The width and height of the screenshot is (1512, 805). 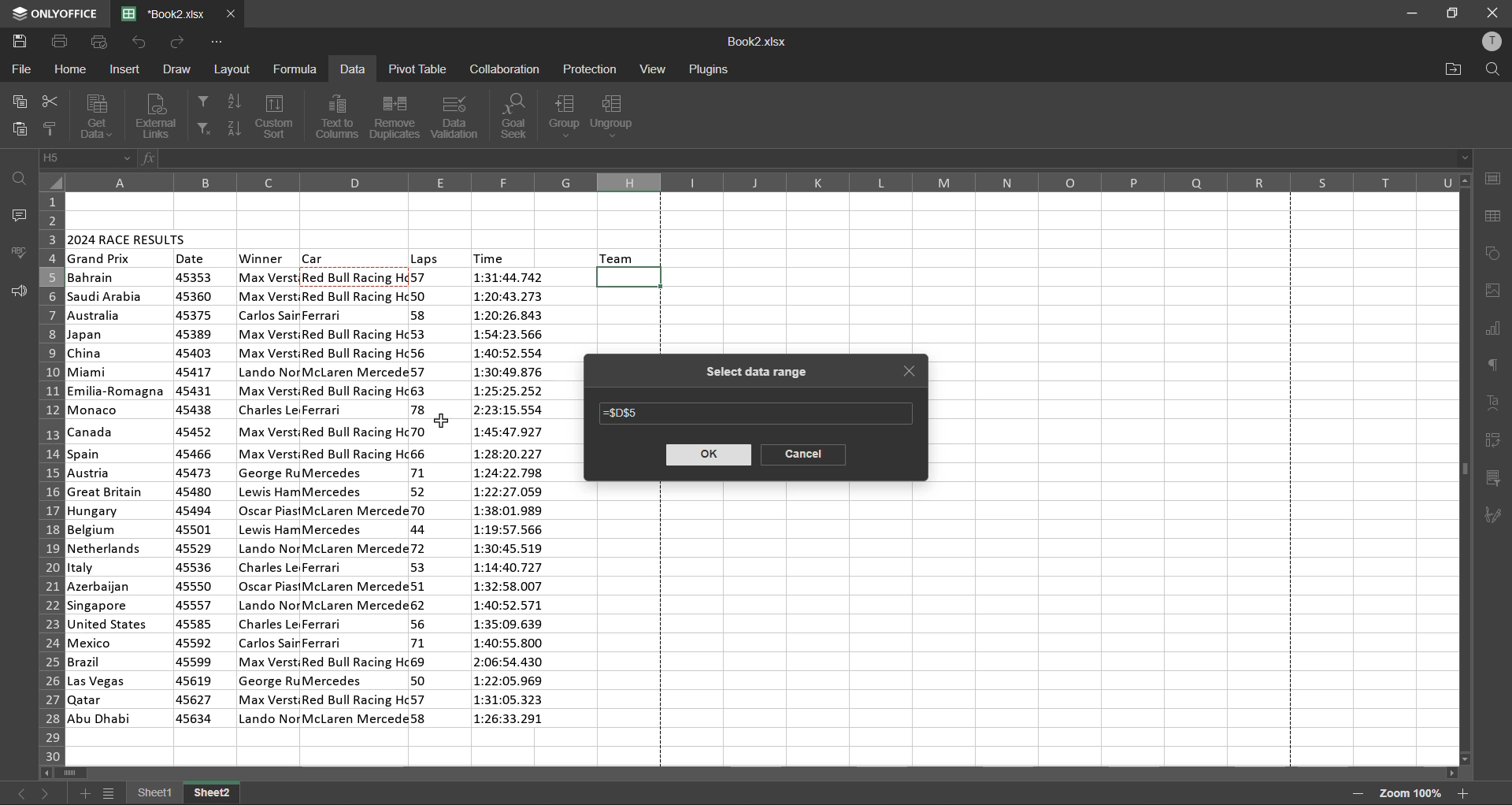 I want to click on paragraph, so click(x=1497, y=364).